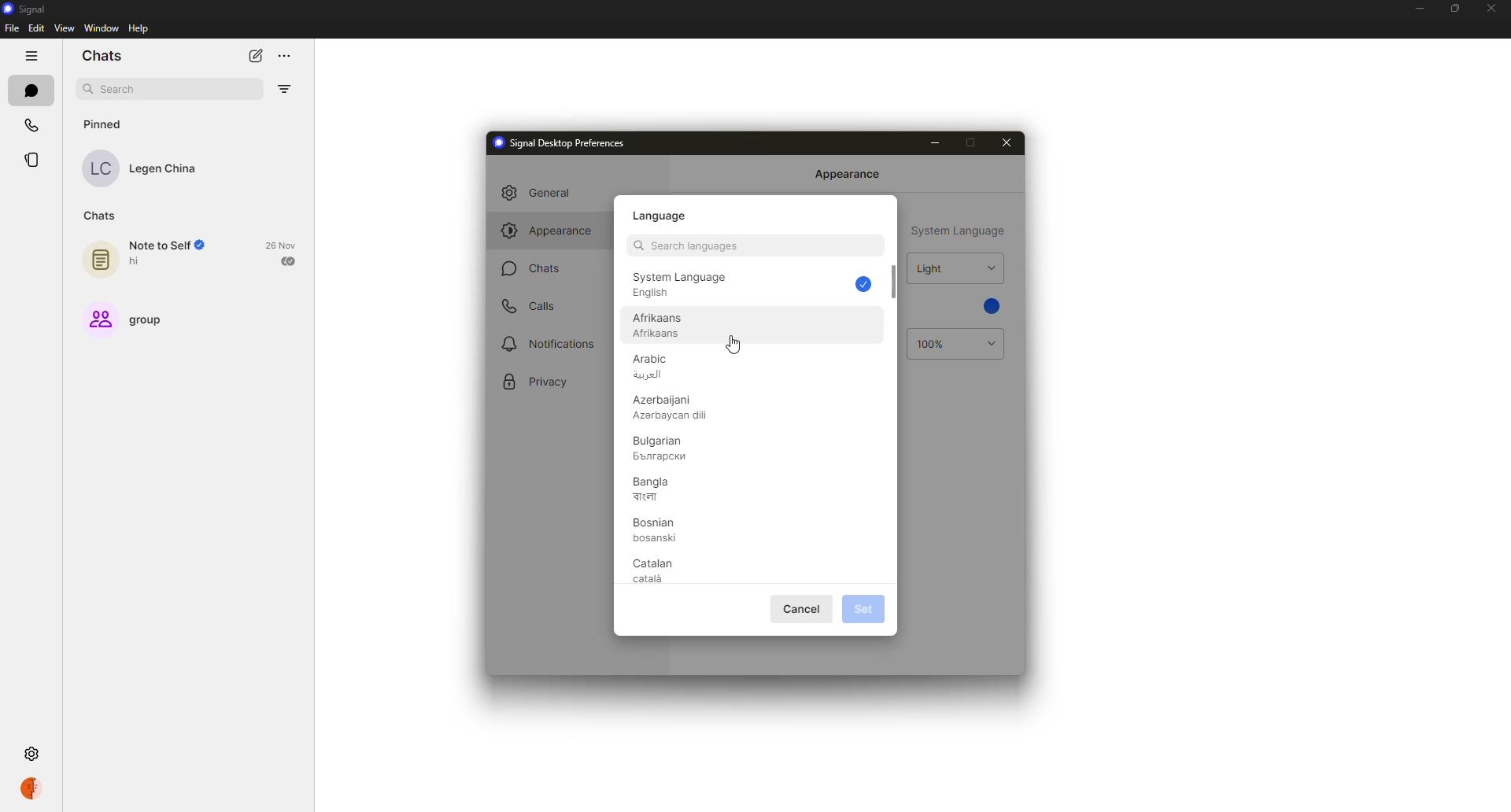 The width and height of the screenshot is (1511, 812). What do you see at coordinates (930, 268) in the screenshot?
I see `light` at bounding box center [930, 268].